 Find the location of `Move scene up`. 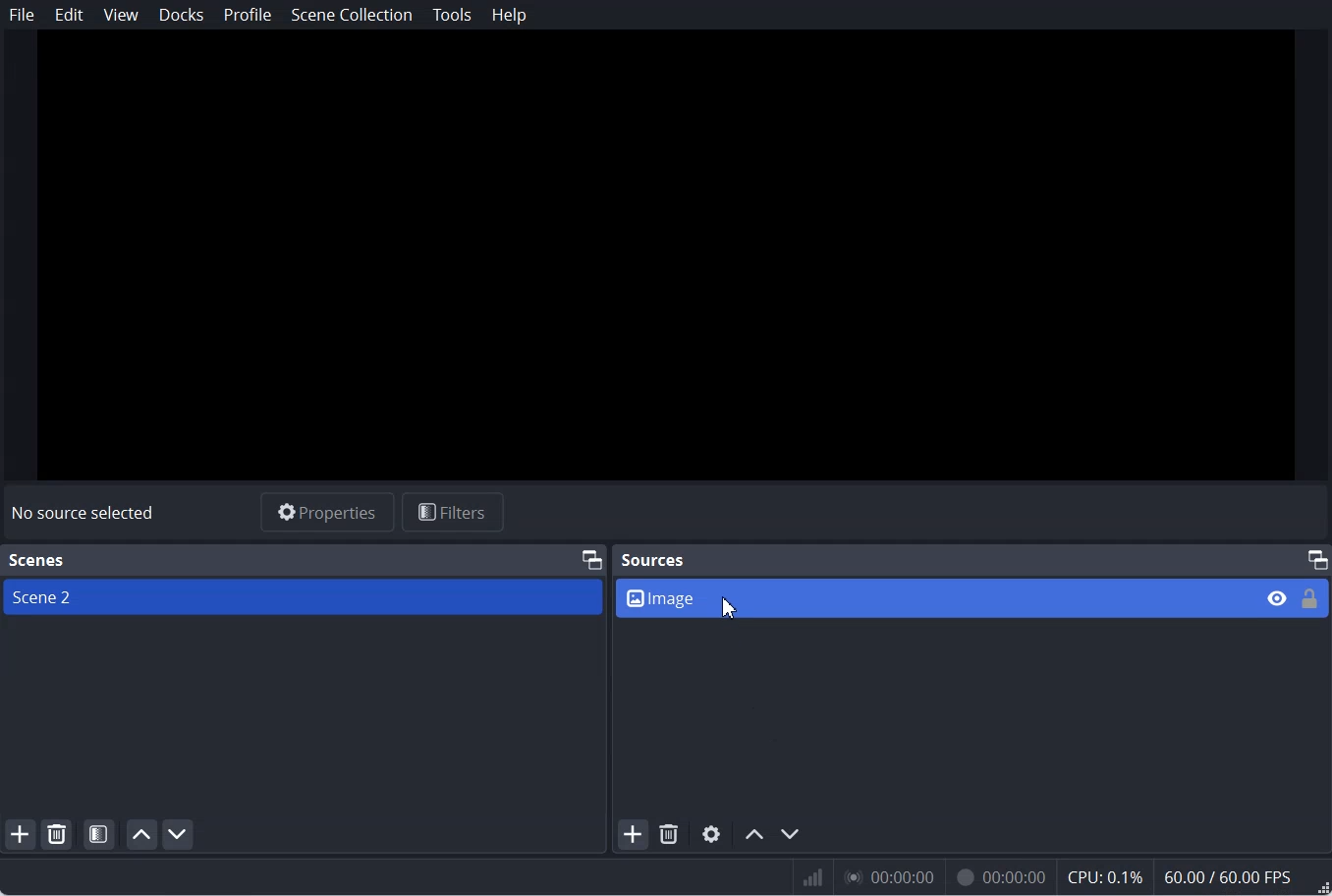

Move scene up is located at coordinates (141, 833).